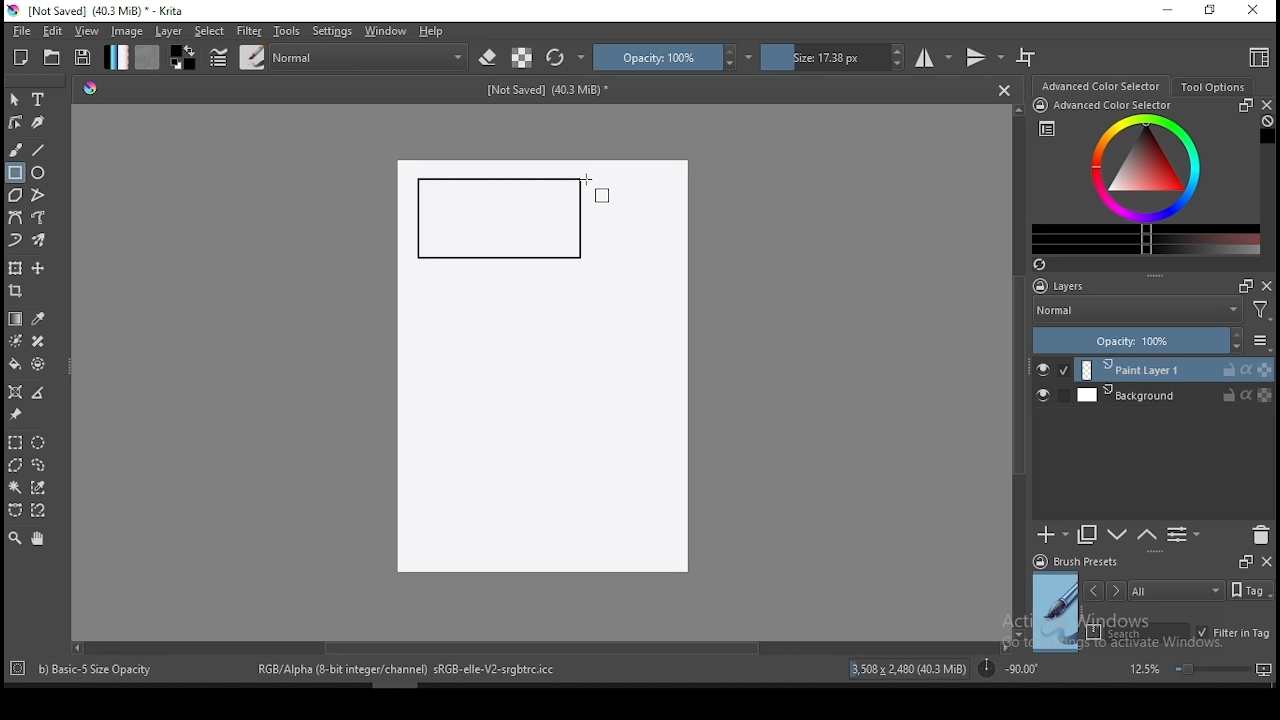  What do you see at coordinates (1047, 266) in the screenshot?
I see `Refresh` at bounding box center [1047, 266].